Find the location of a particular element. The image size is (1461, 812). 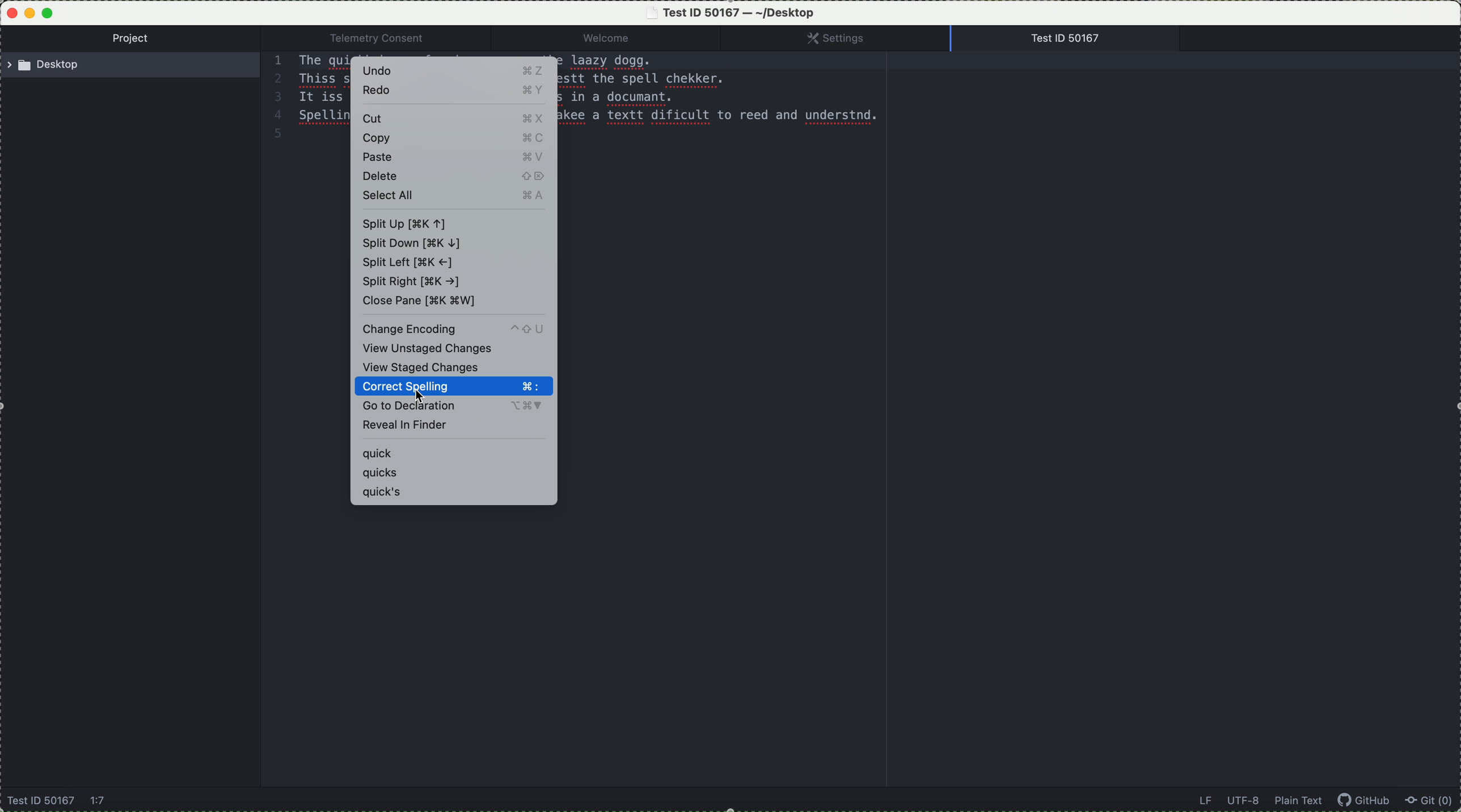

select all is located at coordinates (455, 197).